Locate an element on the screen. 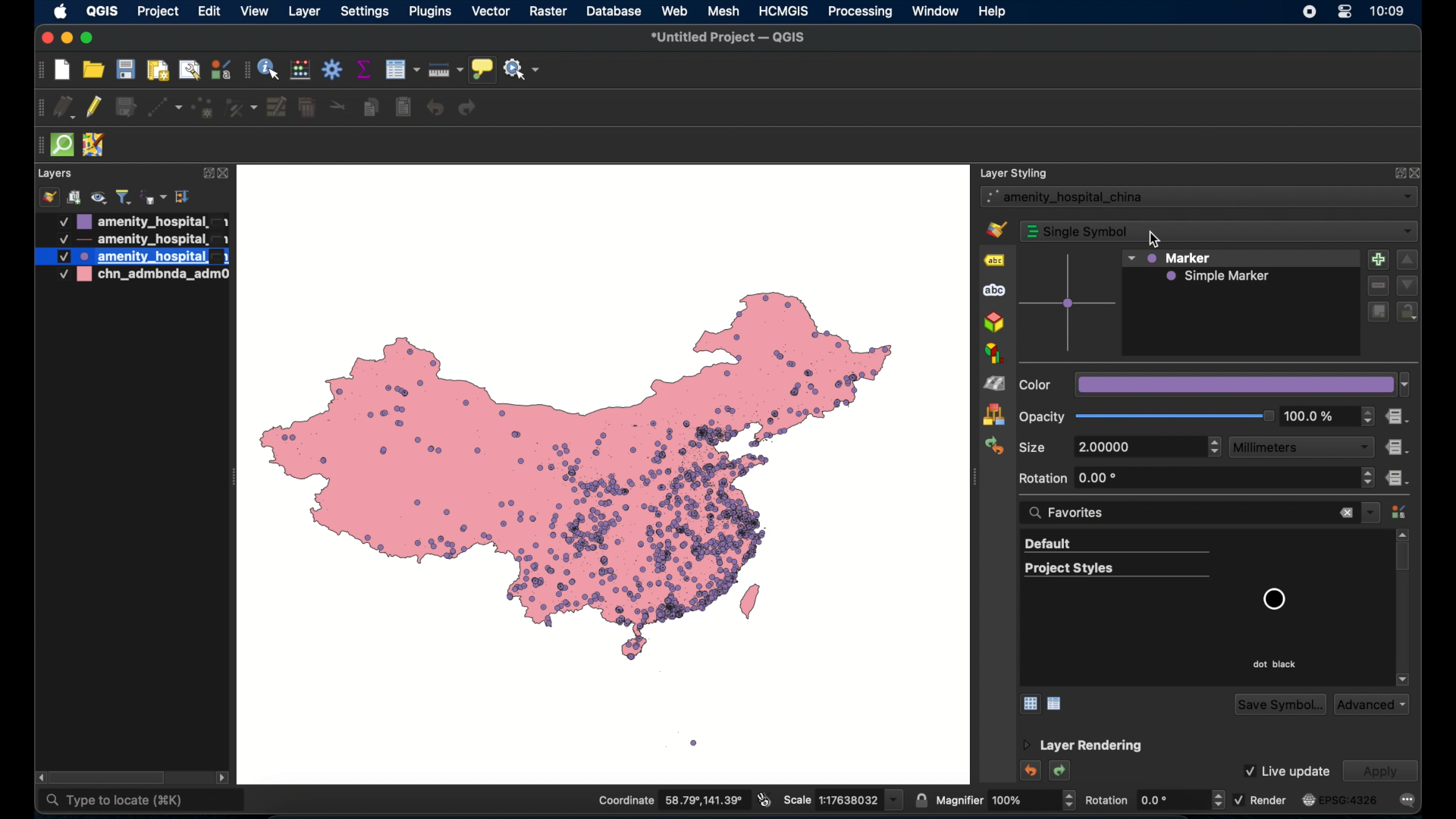 This screenshot has width=1456, height=819. current crs is located at coordinates (1338, 800).